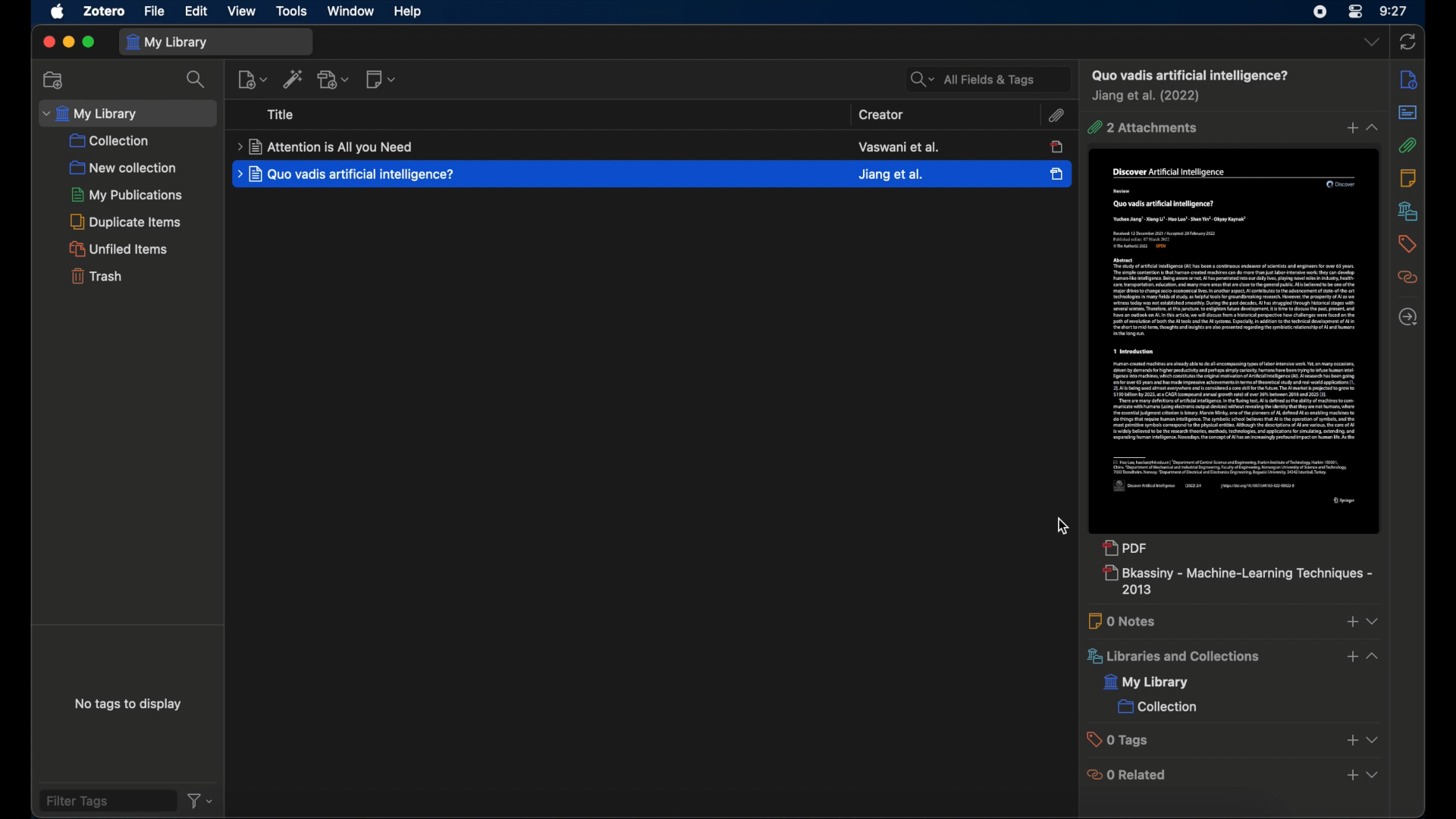 Image resolution: width=1456 pixels, height=819 pixels. Describe the element at coordinates (1371, 42) in the screenshot. I see `dropdown menu` at that location.